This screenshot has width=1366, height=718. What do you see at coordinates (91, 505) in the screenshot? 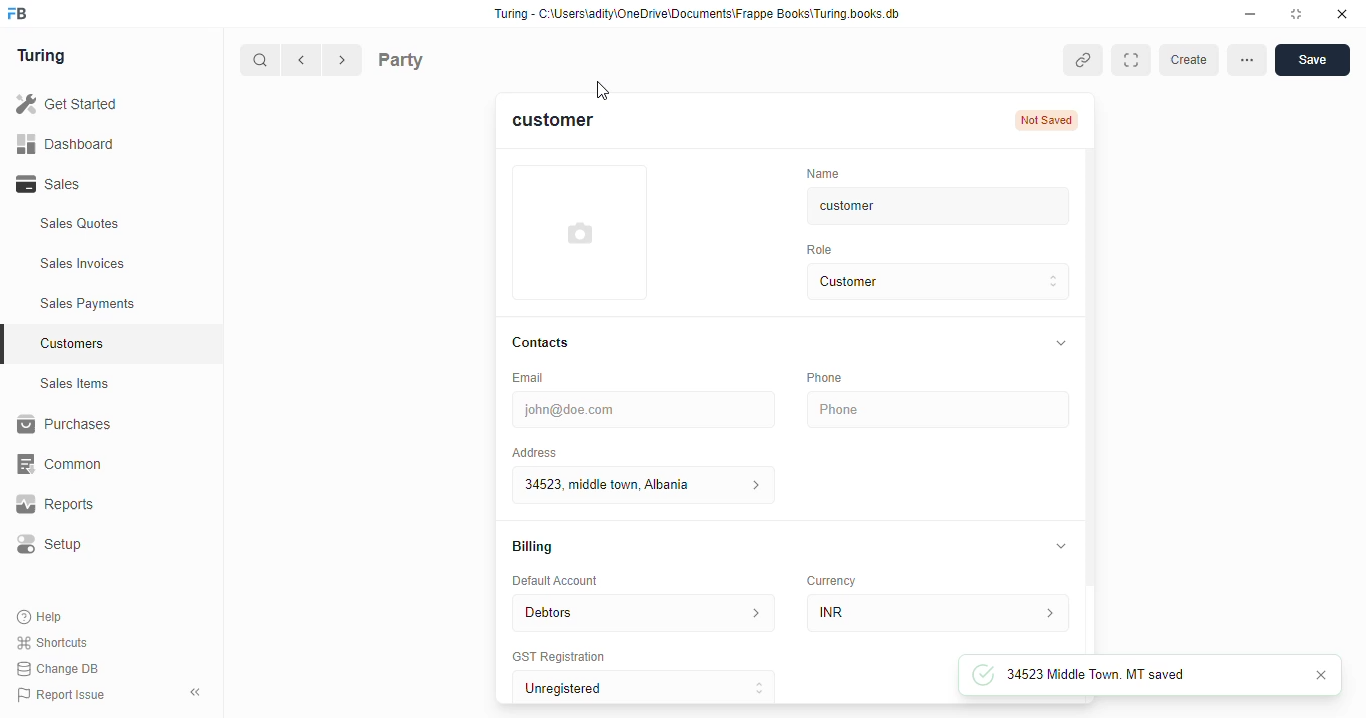
I see `Reports` at bounding box center [91, 505].